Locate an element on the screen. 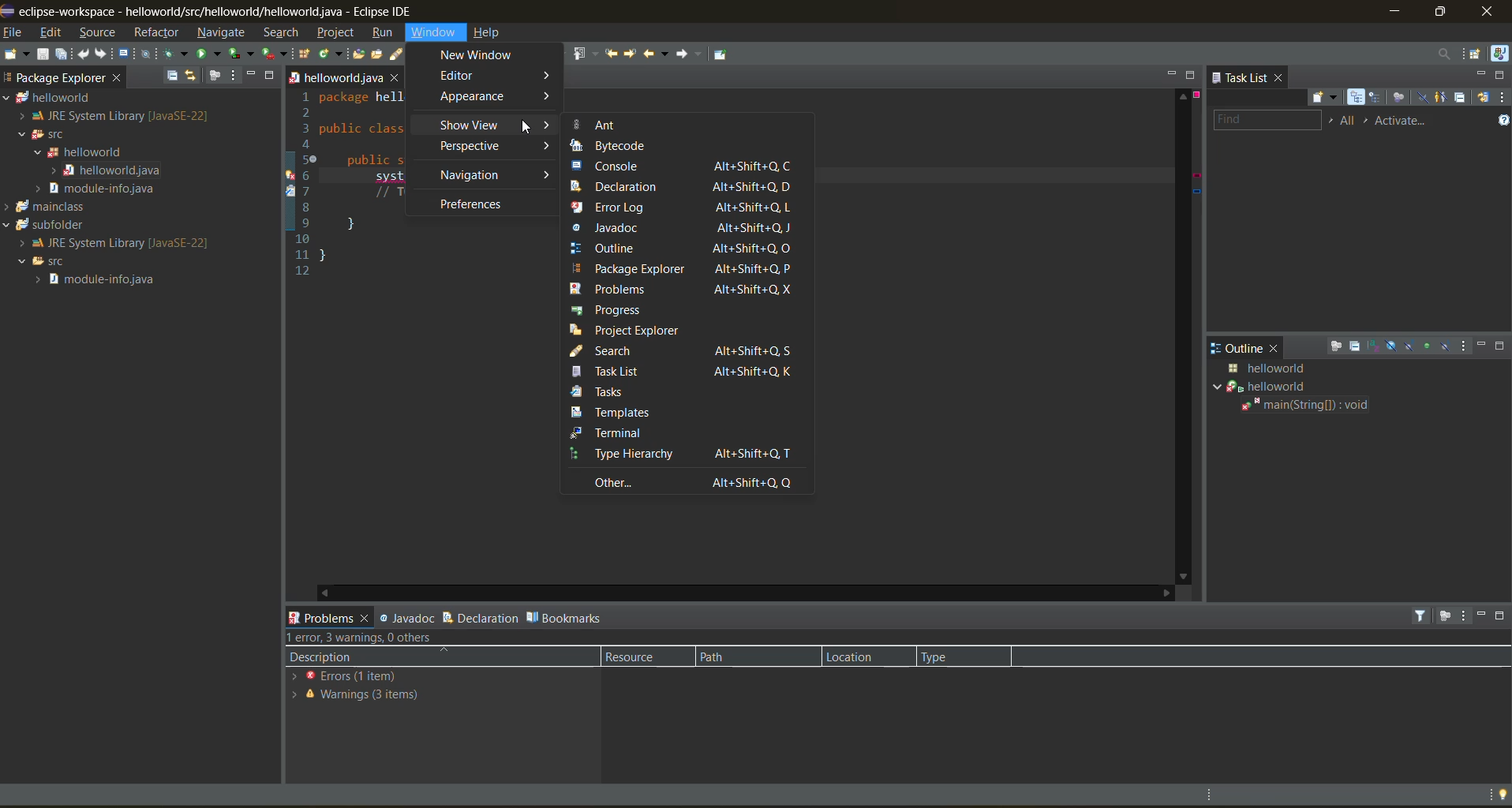 The image size is (1512, 808). help is located at coordinates (492, 36).